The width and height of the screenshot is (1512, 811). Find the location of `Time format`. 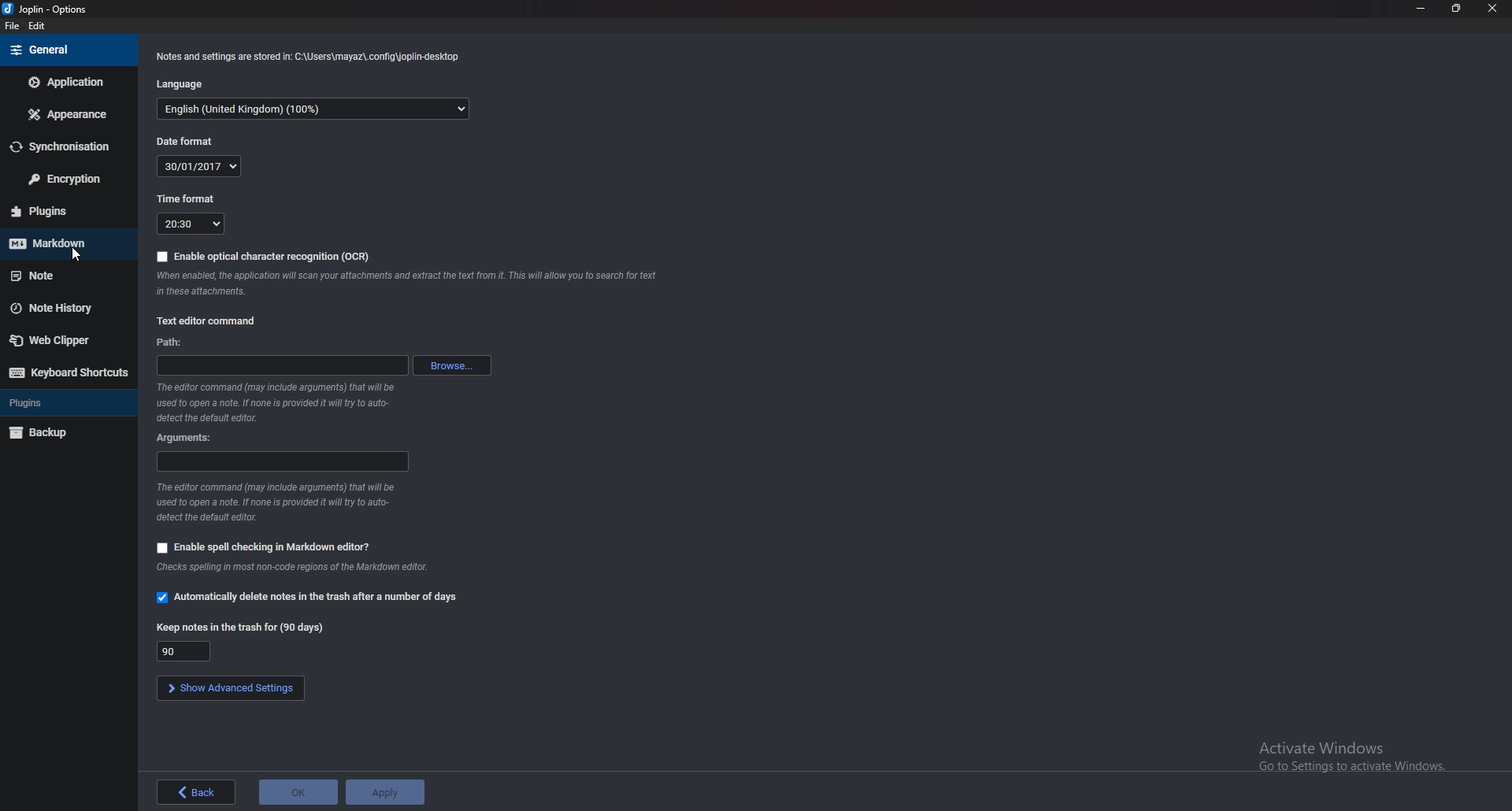

Time format is located at coordinates (187, 198).